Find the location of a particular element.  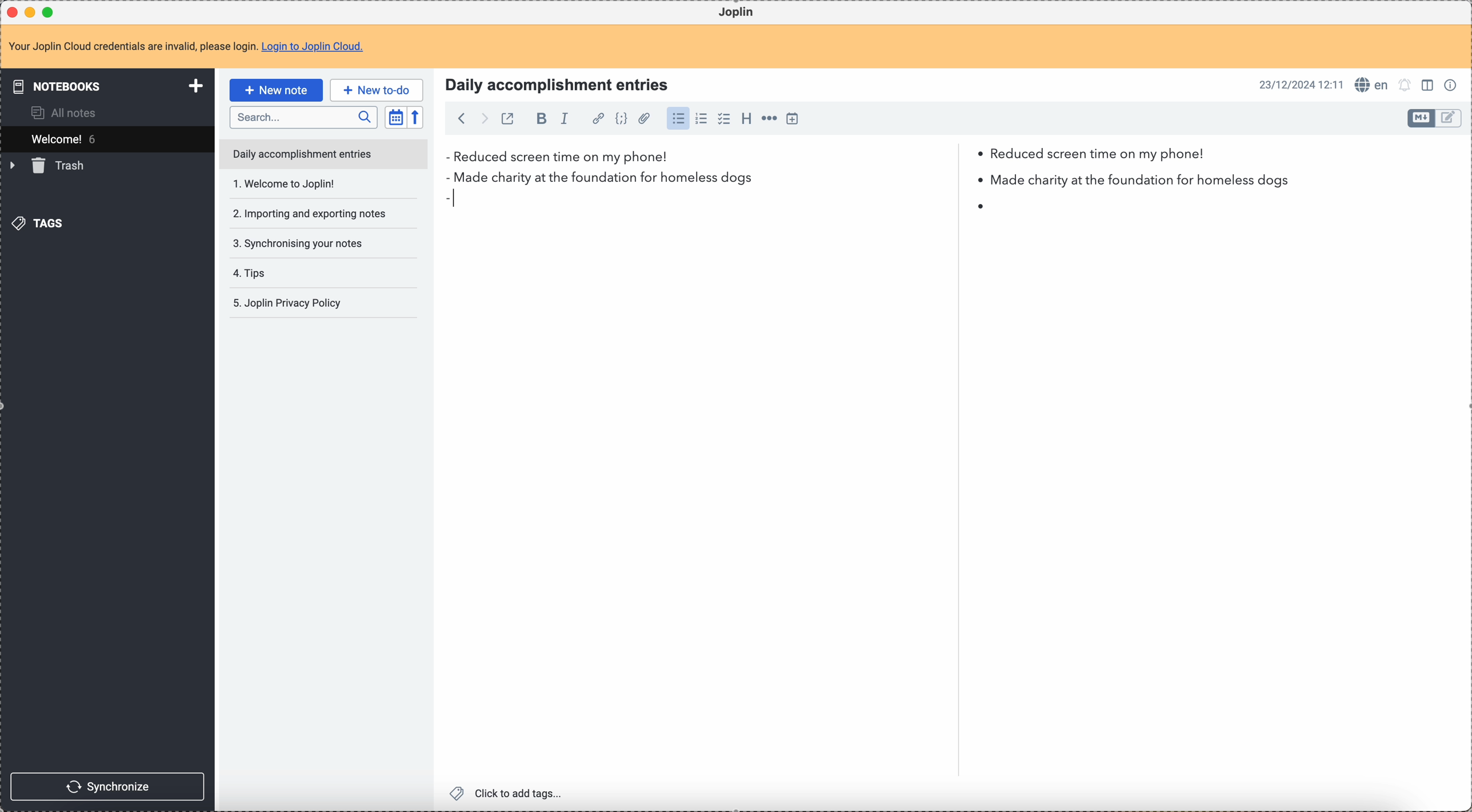

foward is located at coordinates (483, 118).